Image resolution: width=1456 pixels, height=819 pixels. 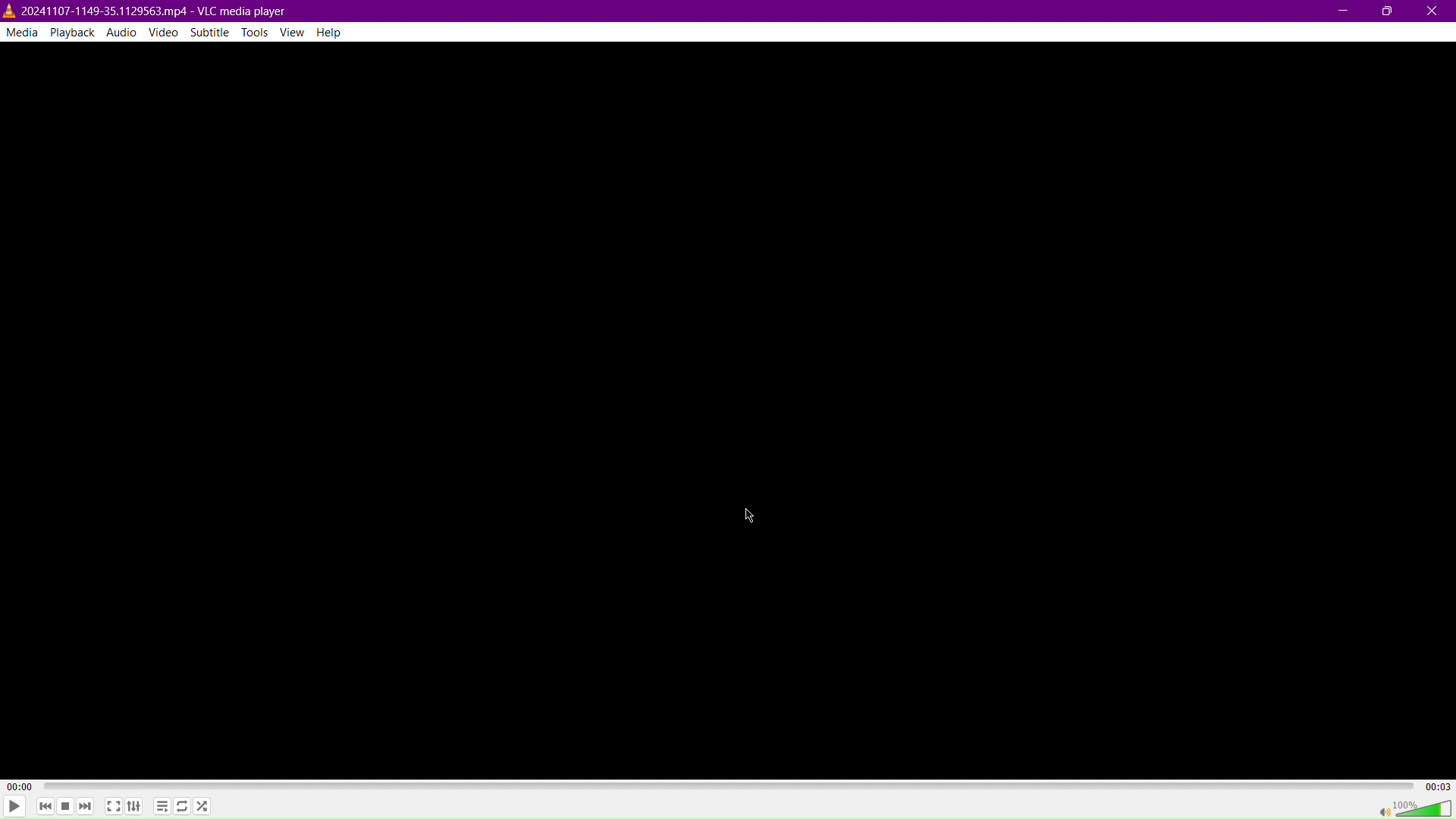 What do you see at coordinates (202, 805) in the screenshot?
I see `Random` at bounding box center [202, 805].